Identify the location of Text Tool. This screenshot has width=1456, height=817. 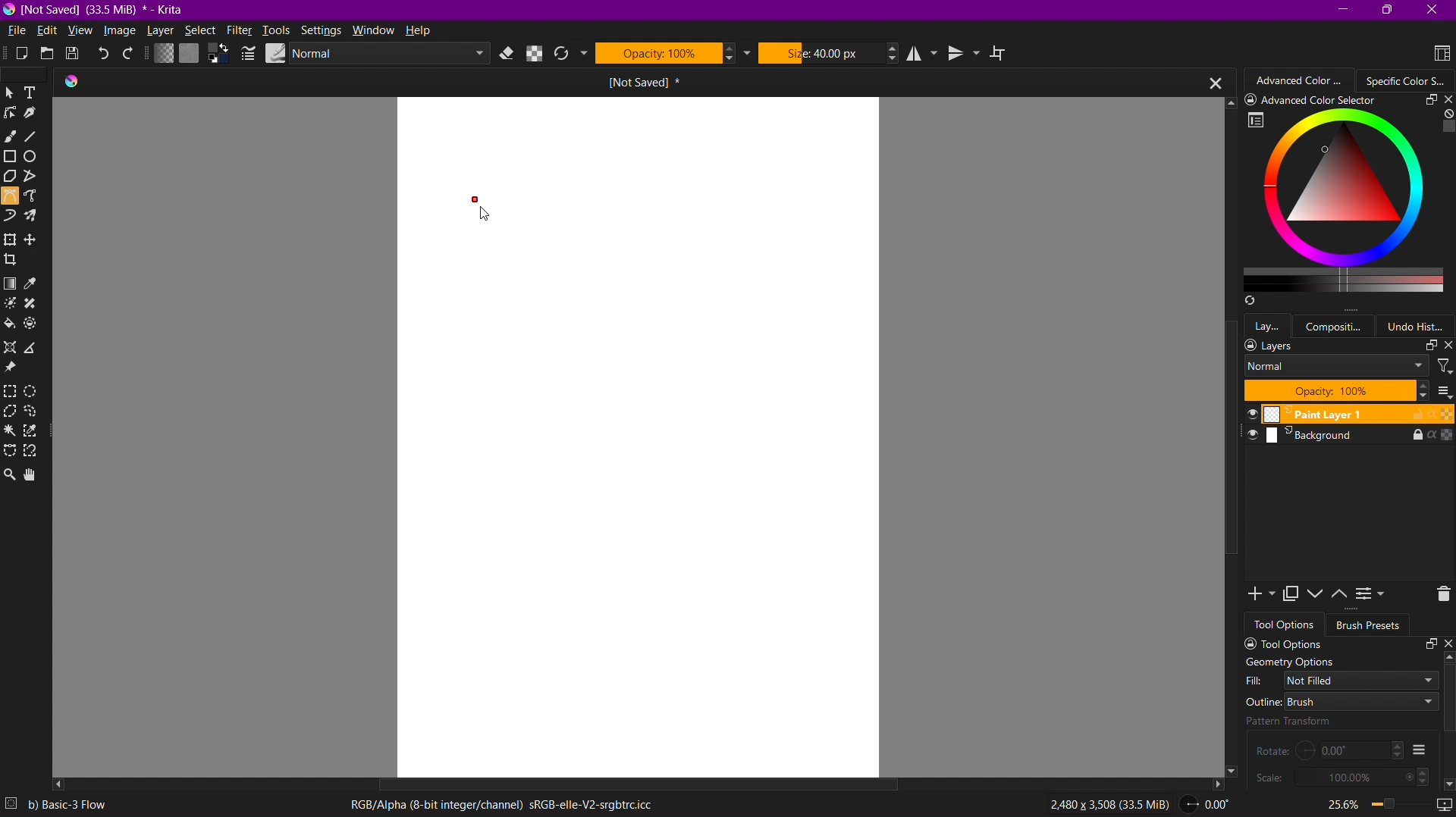
(36, 92).